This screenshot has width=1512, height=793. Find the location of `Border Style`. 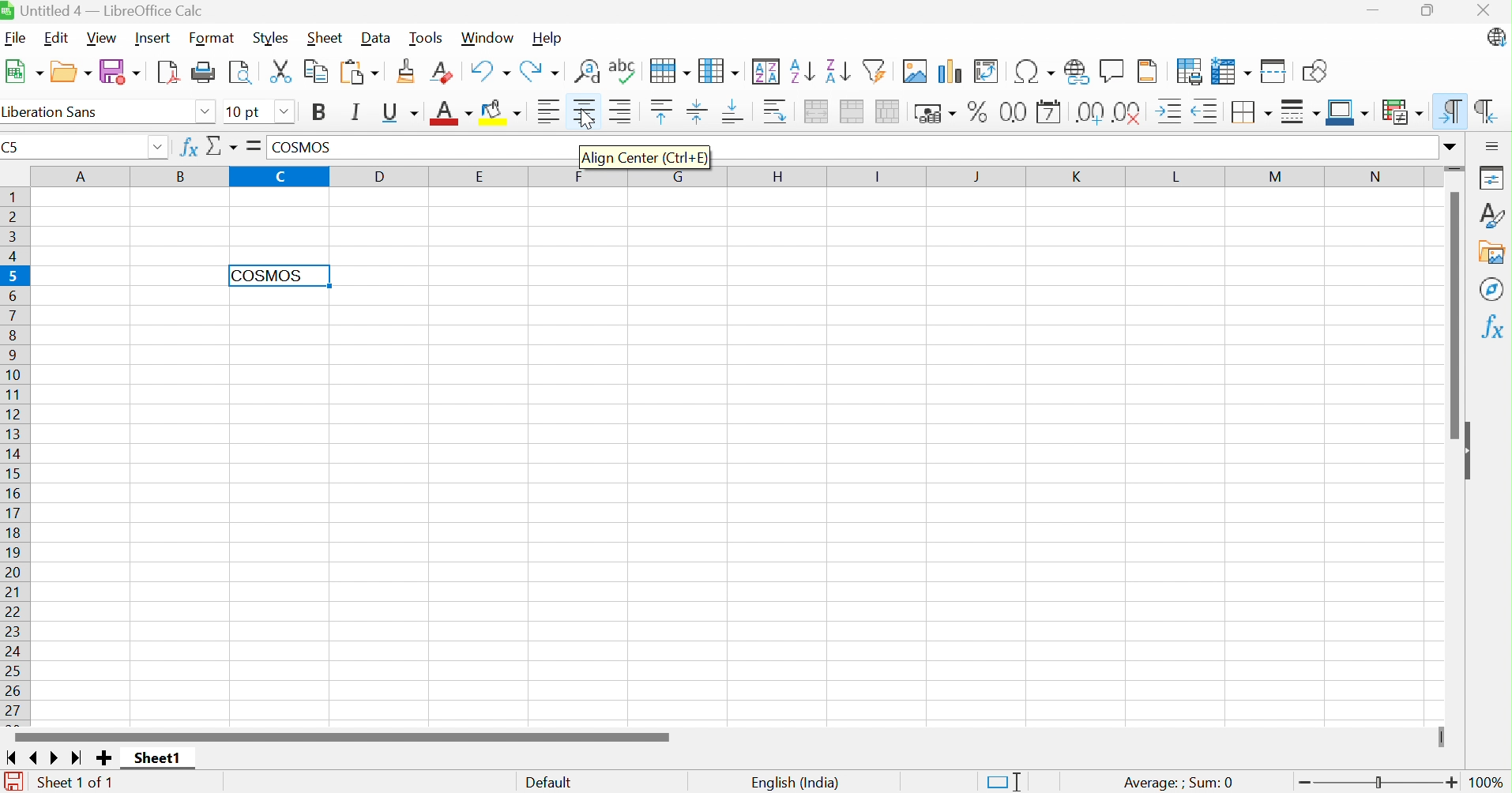

Border Style is located at coordinates (1300, 114).